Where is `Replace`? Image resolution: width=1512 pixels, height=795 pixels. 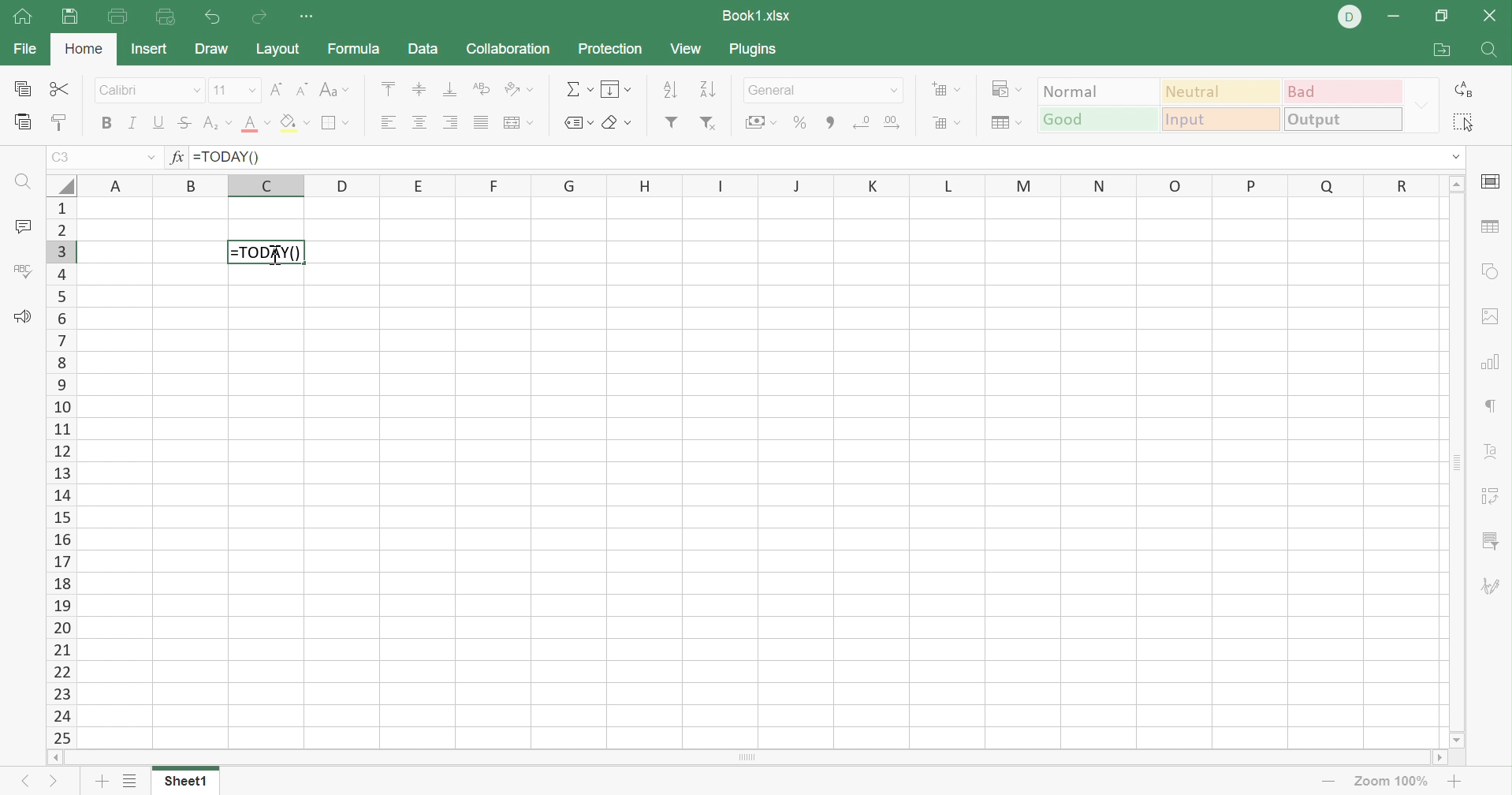
Replace is located at coordinates (1461, 88).